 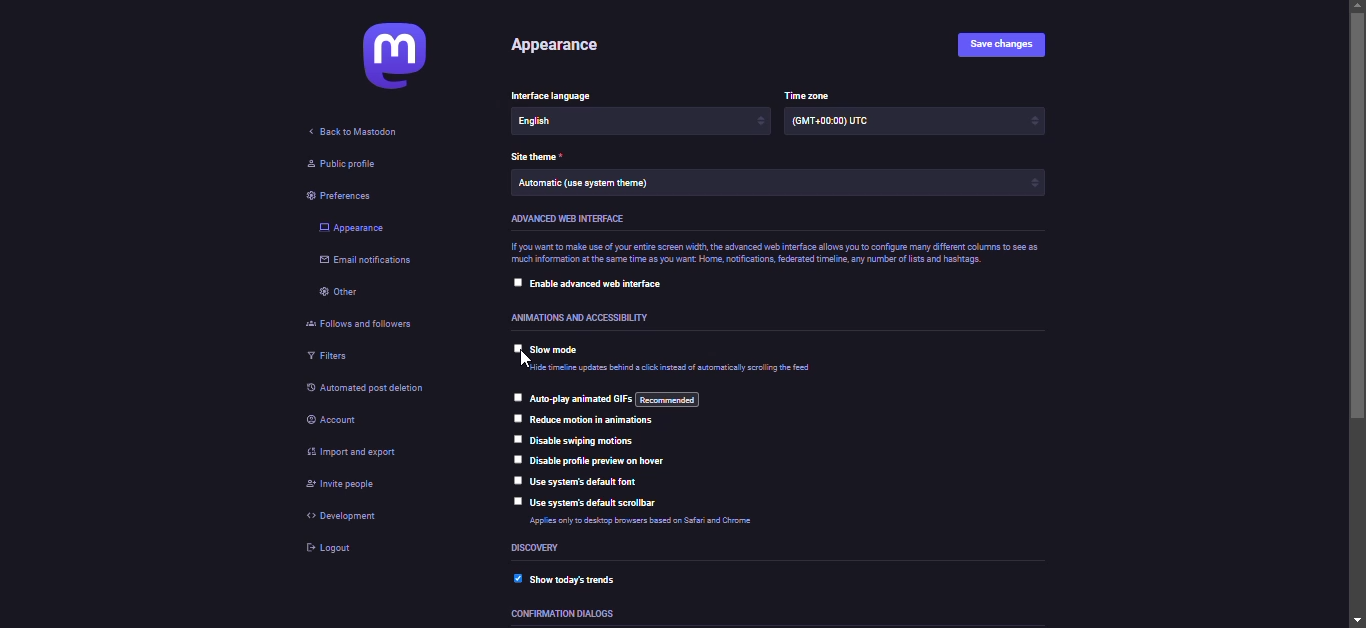 I want to click on interface language, so click(x=557, y=94).